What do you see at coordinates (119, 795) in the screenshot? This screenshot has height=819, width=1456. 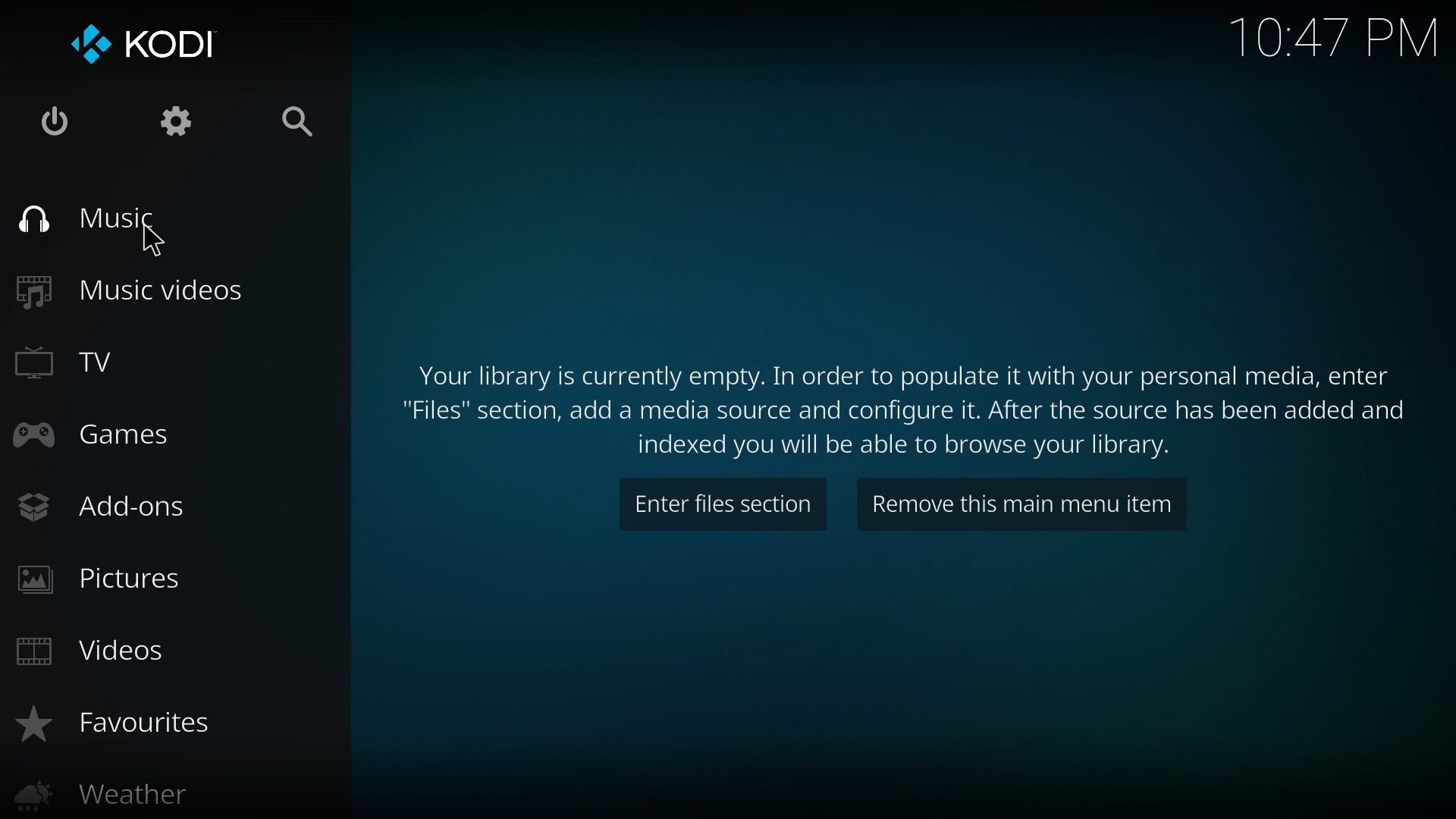 I see `weather` at bounding box center [119, 795].